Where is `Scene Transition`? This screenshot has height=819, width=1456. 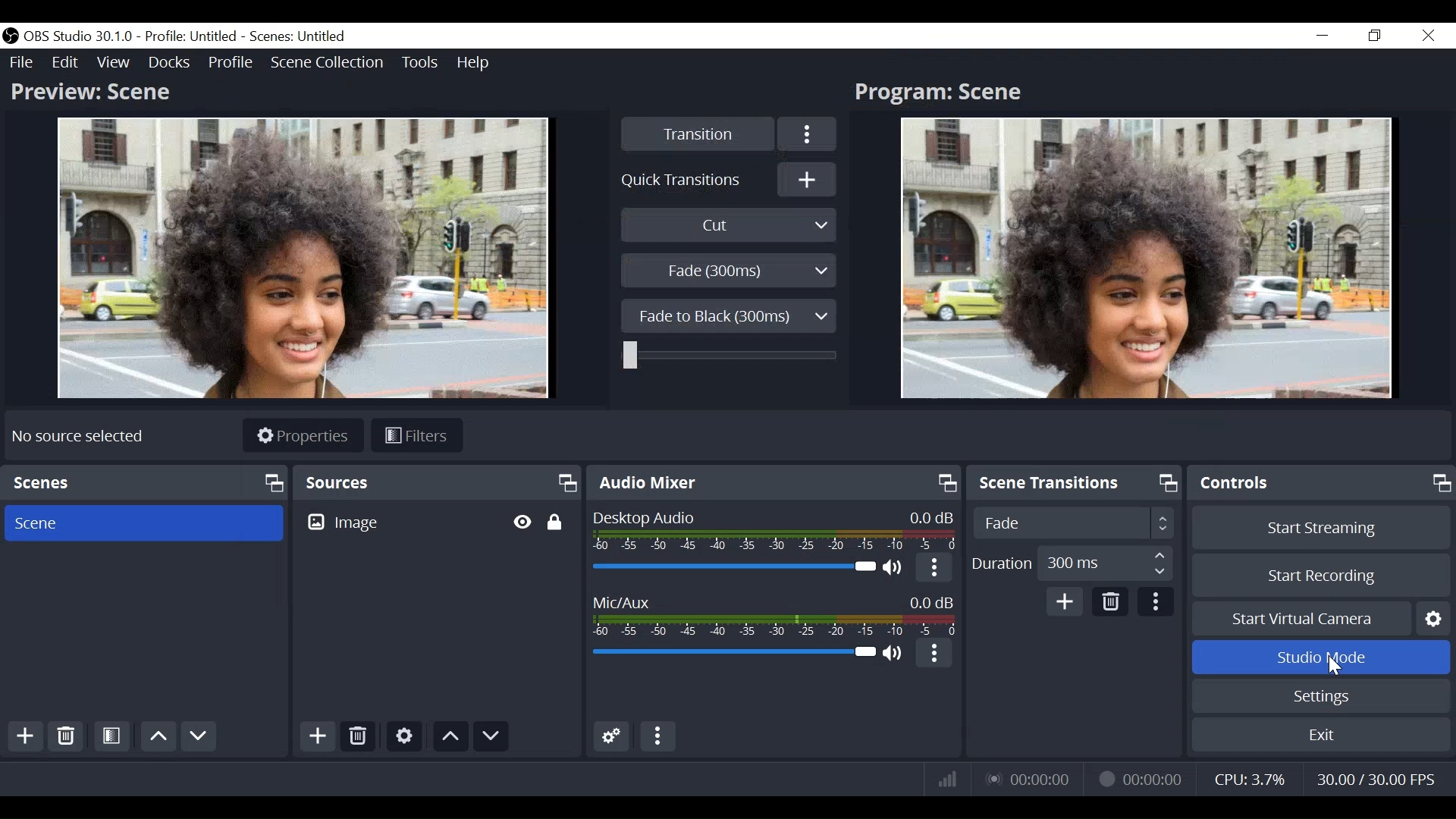 Scene Transition is located at coordinates (1075, 484).